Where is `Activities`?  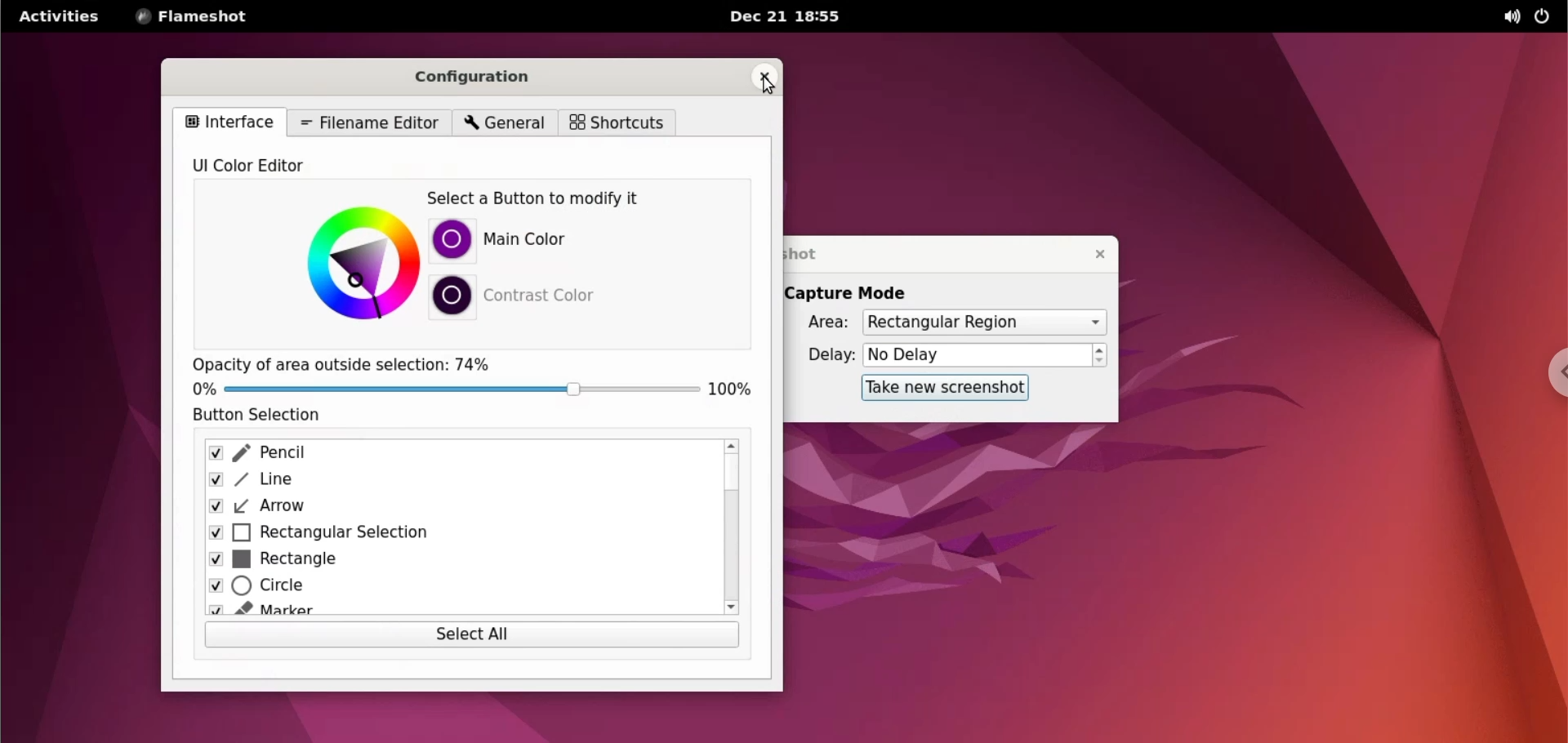 Activities is located at coordinates (58, 22).